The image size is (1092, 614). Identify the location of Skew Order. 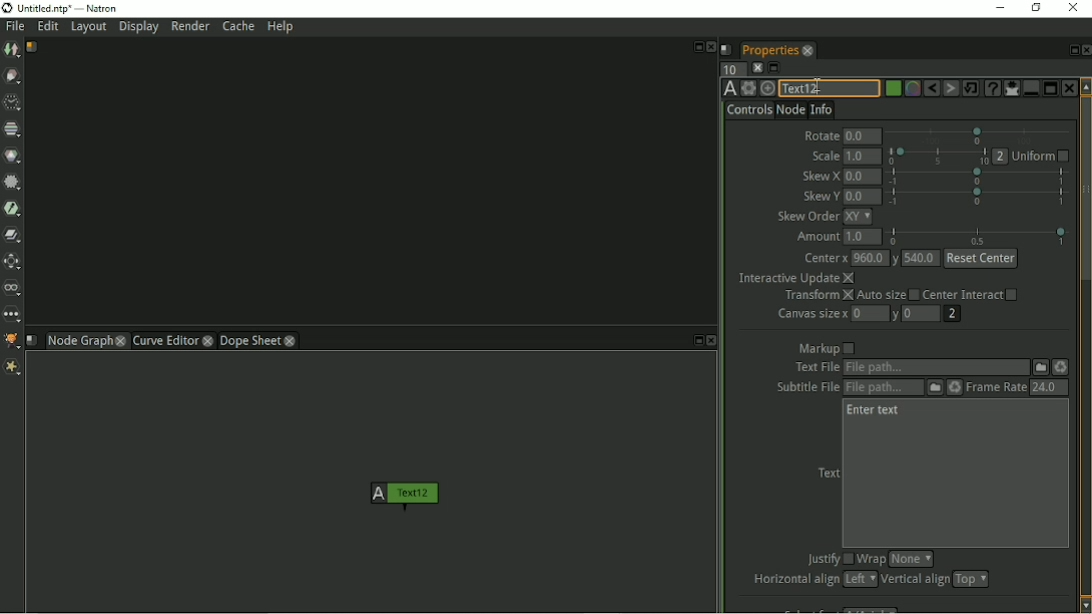
(807, 216).